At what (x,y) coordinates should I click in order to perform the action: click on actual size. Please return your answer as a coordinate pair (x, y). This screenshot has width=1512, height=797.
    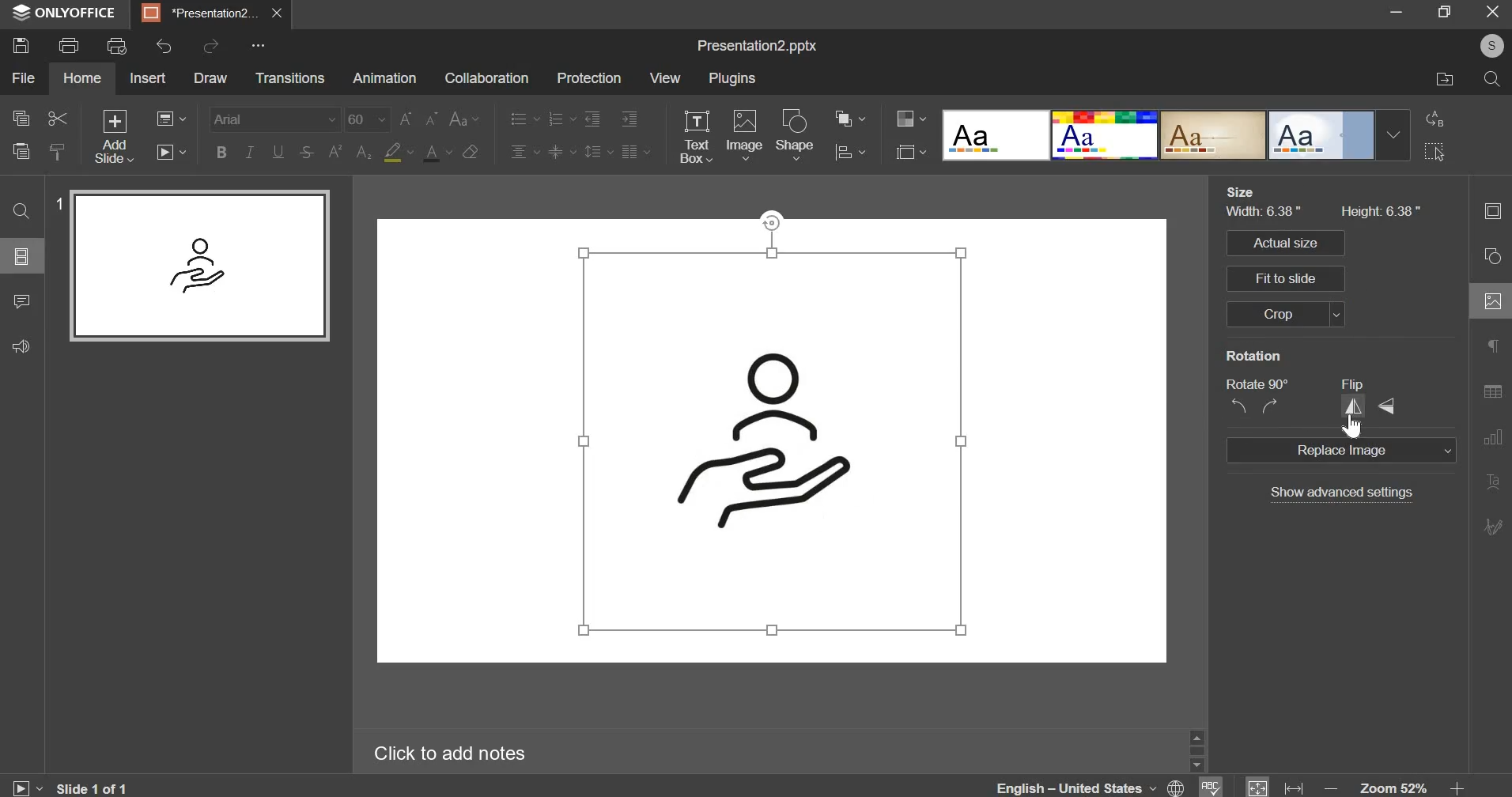
    Looking at the image, I should click on (1291, 244).